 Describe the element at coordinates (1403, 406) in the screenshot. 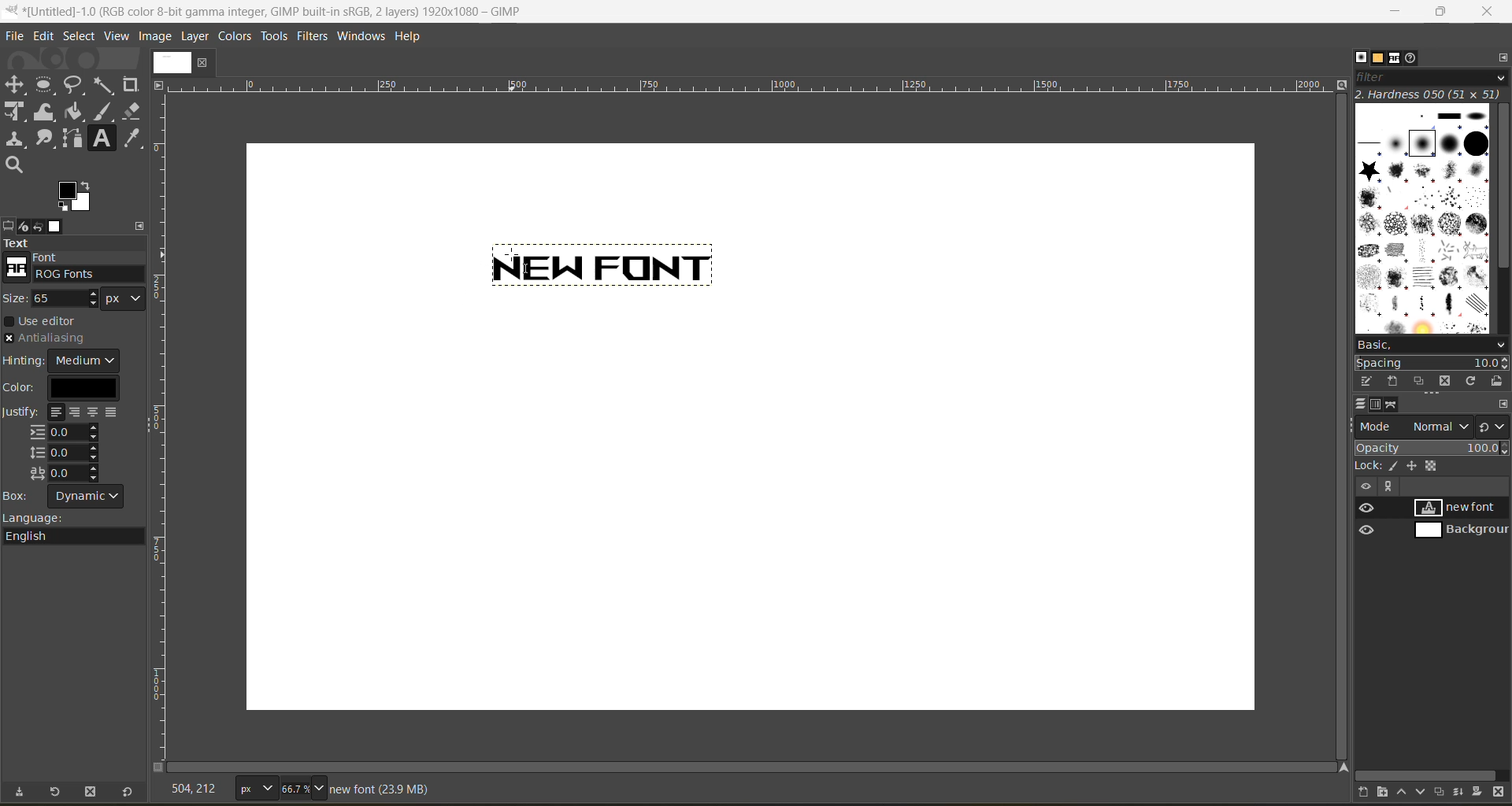

I see `paths` at that location.